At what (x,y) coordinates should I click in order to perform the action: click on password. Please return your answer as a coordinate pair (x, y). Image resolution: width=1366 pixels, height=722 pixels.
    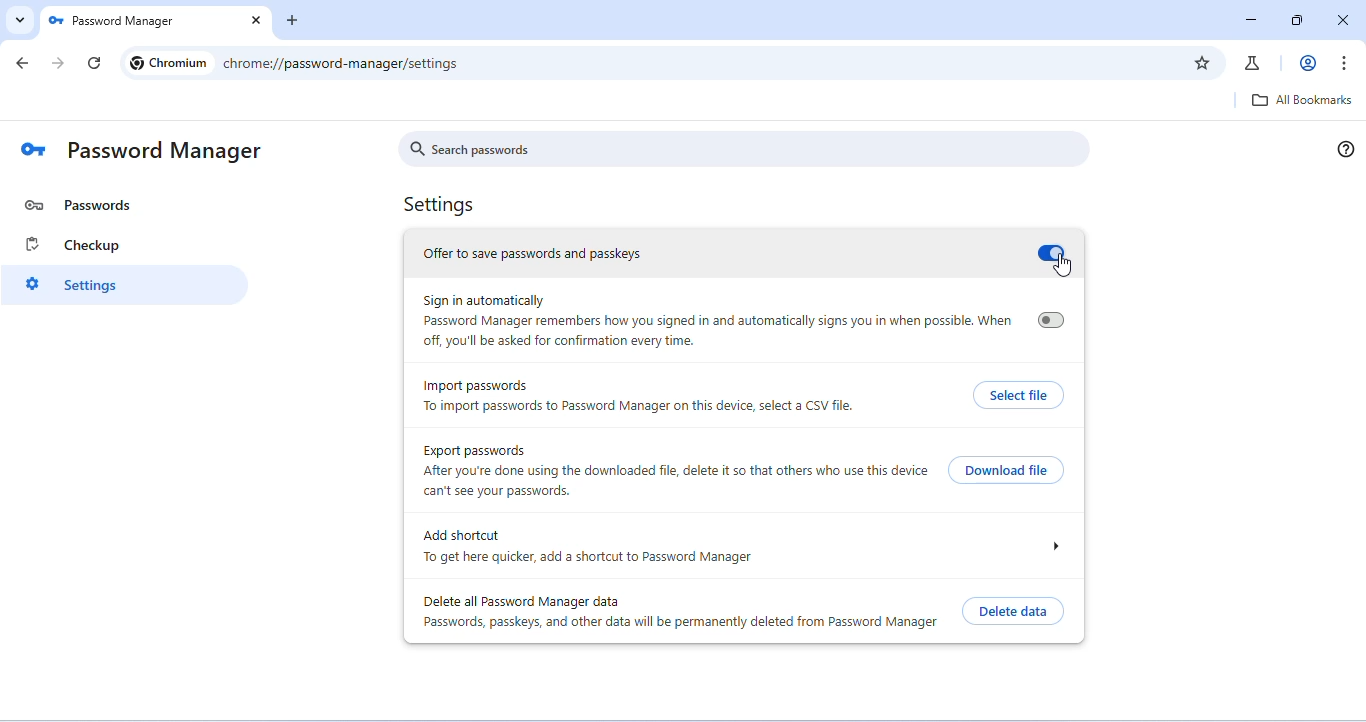
    Looking at the image, I should click on (126, 204).